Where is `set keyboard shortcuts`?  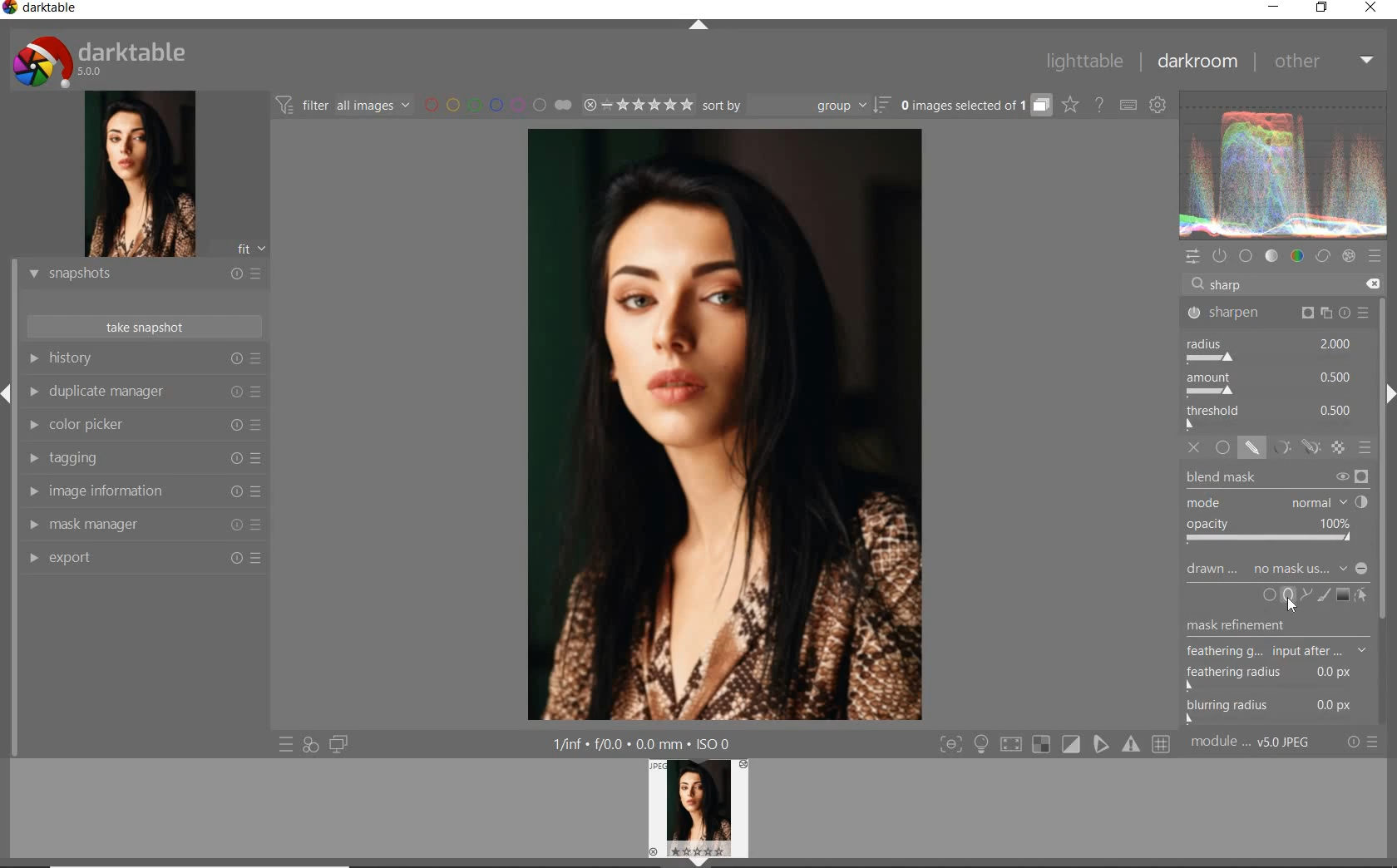 set keyboard shortcuts is located at coordinates (1129, 106).